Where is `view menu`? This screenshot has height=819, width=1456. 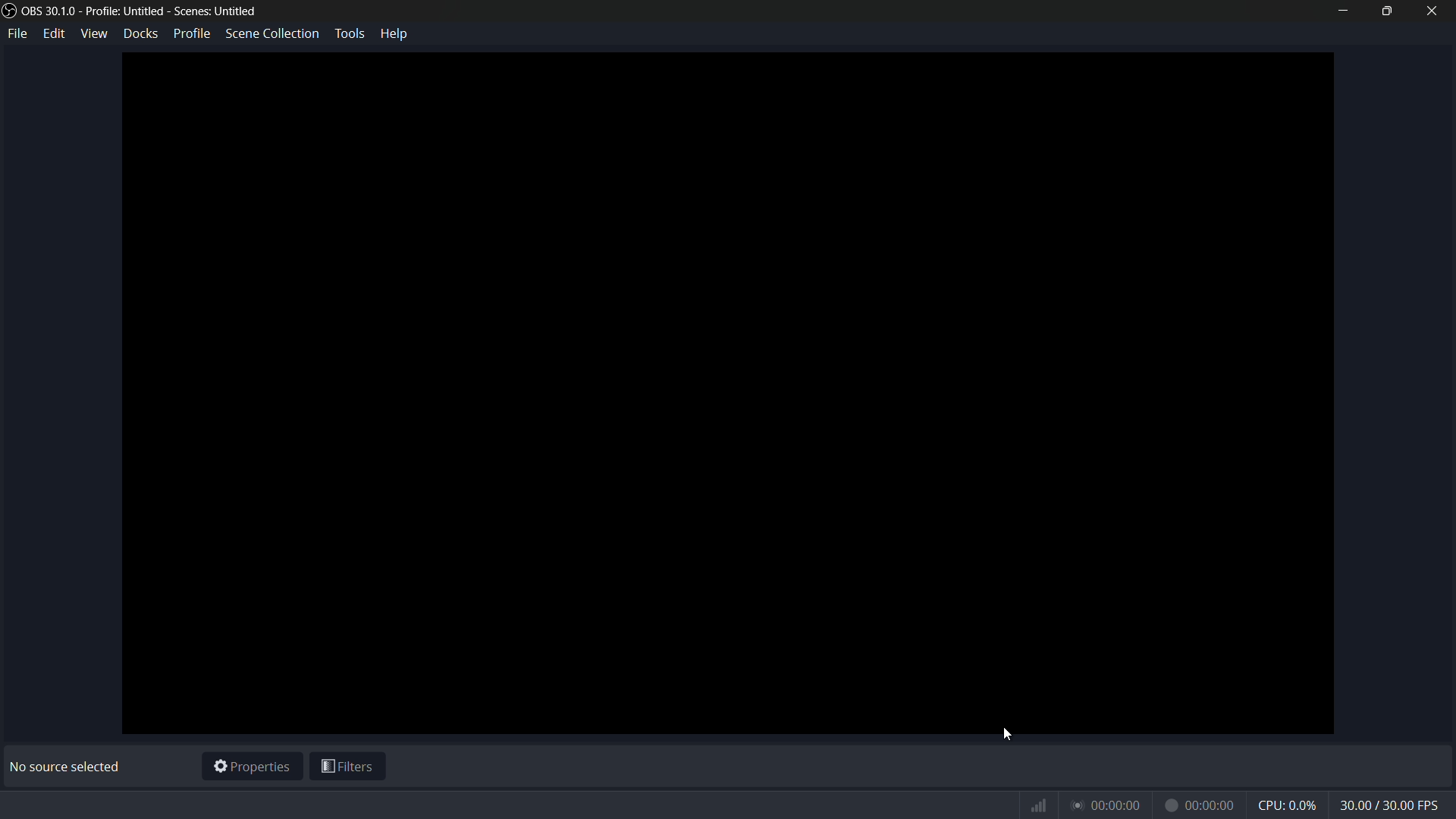 view menu is located at coordinates (94, 33).